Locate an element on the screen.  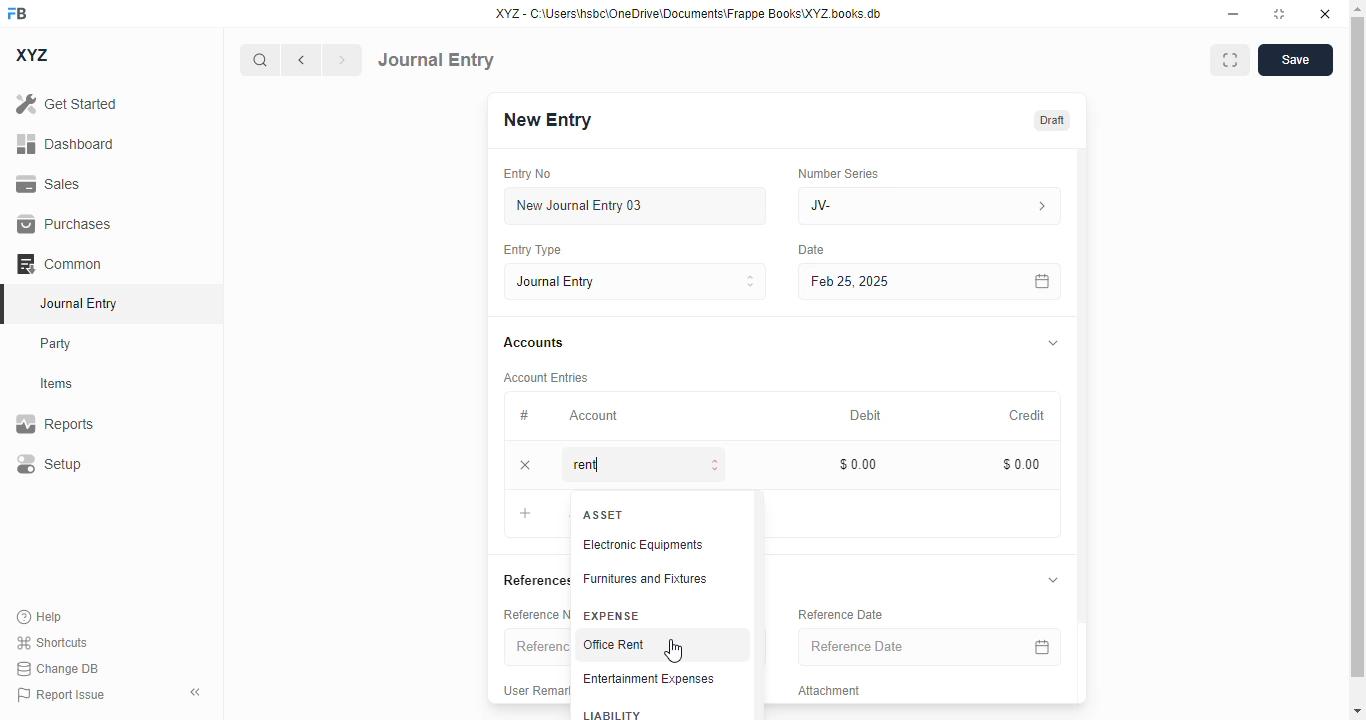
feb 25, 2025 is located at coordinates (898, 282).